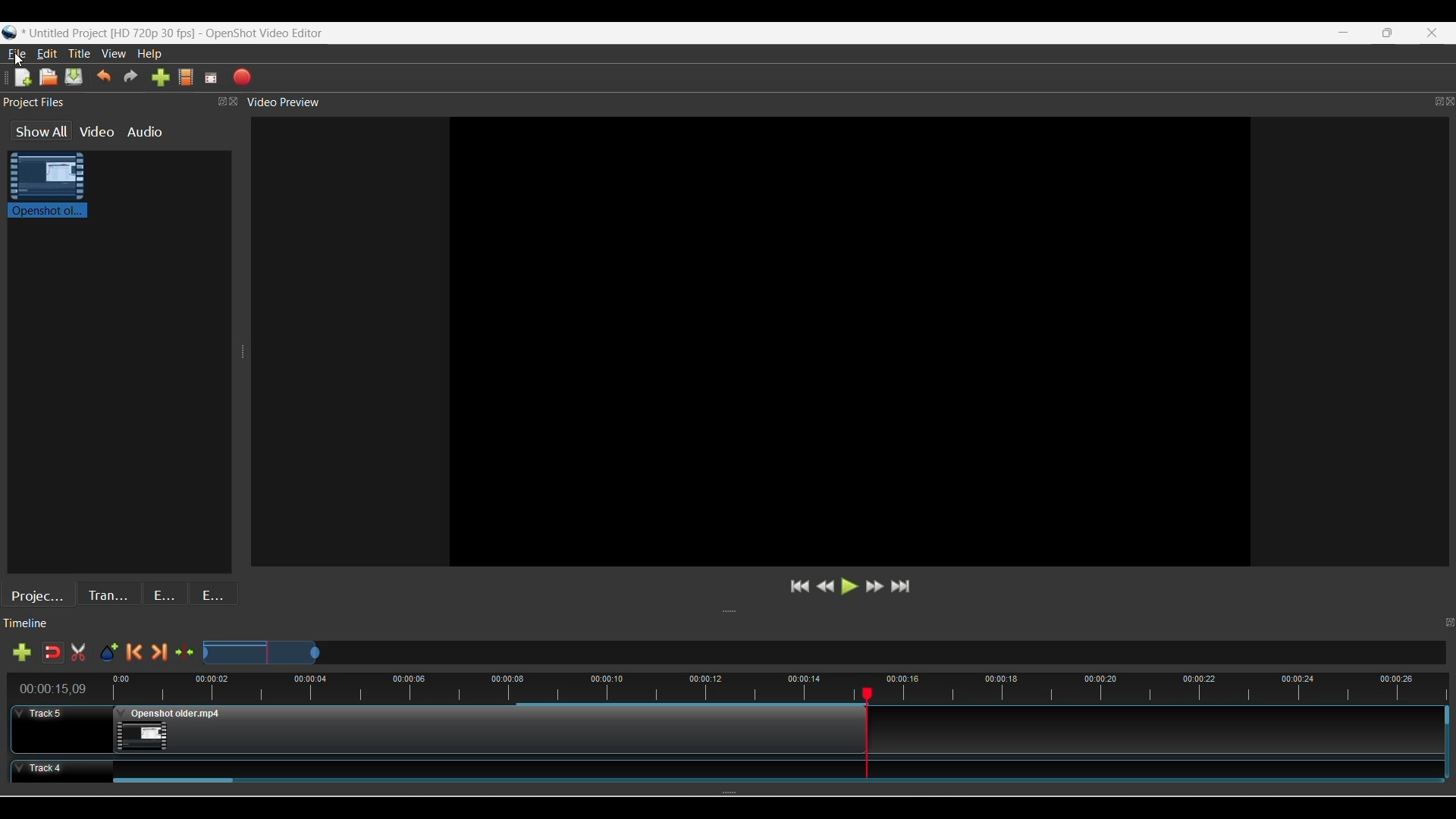  Describe the element at coordinates (80, 54) in the screenshot. I see `Title` at that location.